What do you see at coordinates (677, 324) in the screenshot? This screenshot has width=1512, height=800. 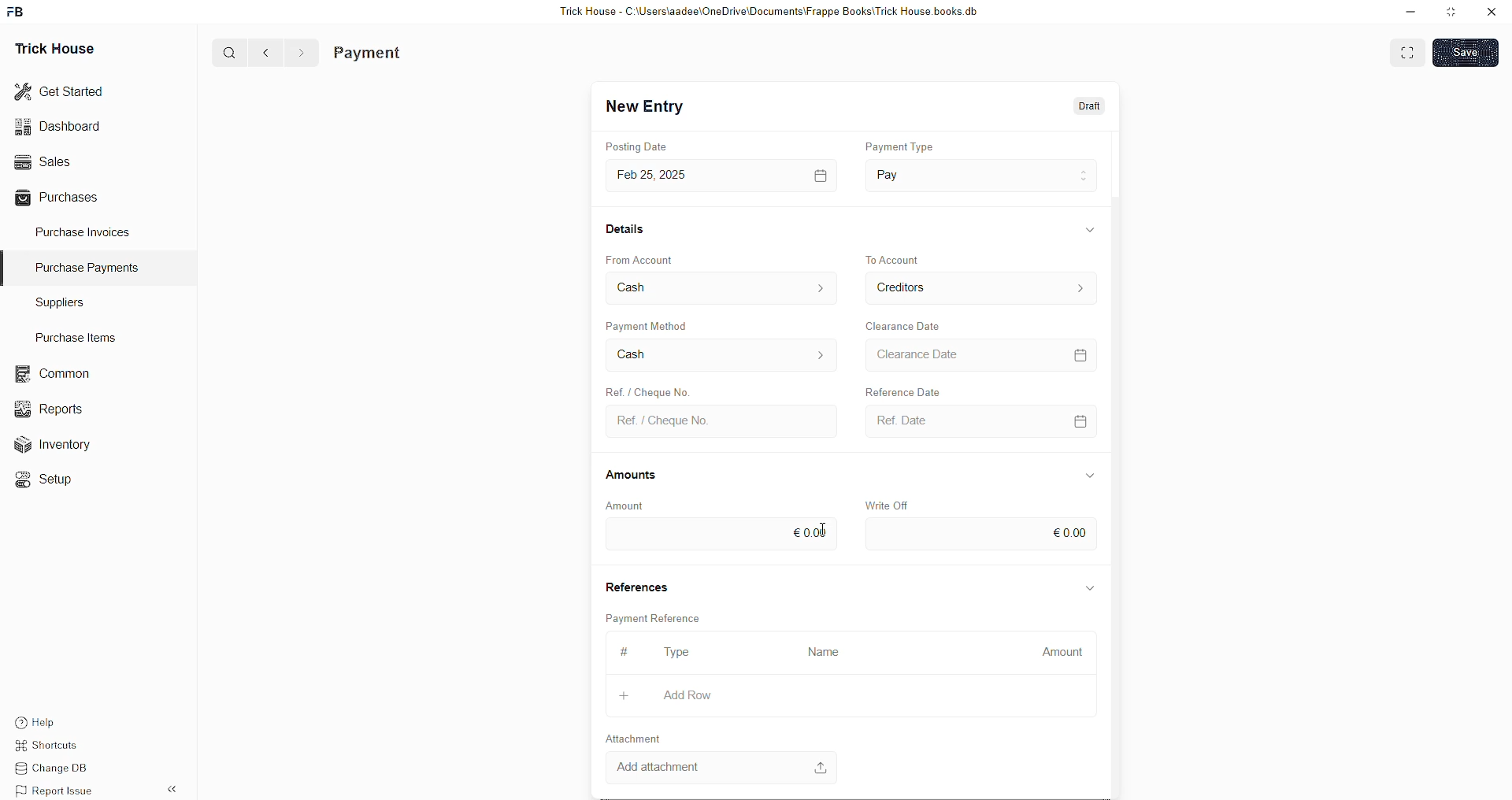 I see `Payment Method` at bounding box center [677, 324].